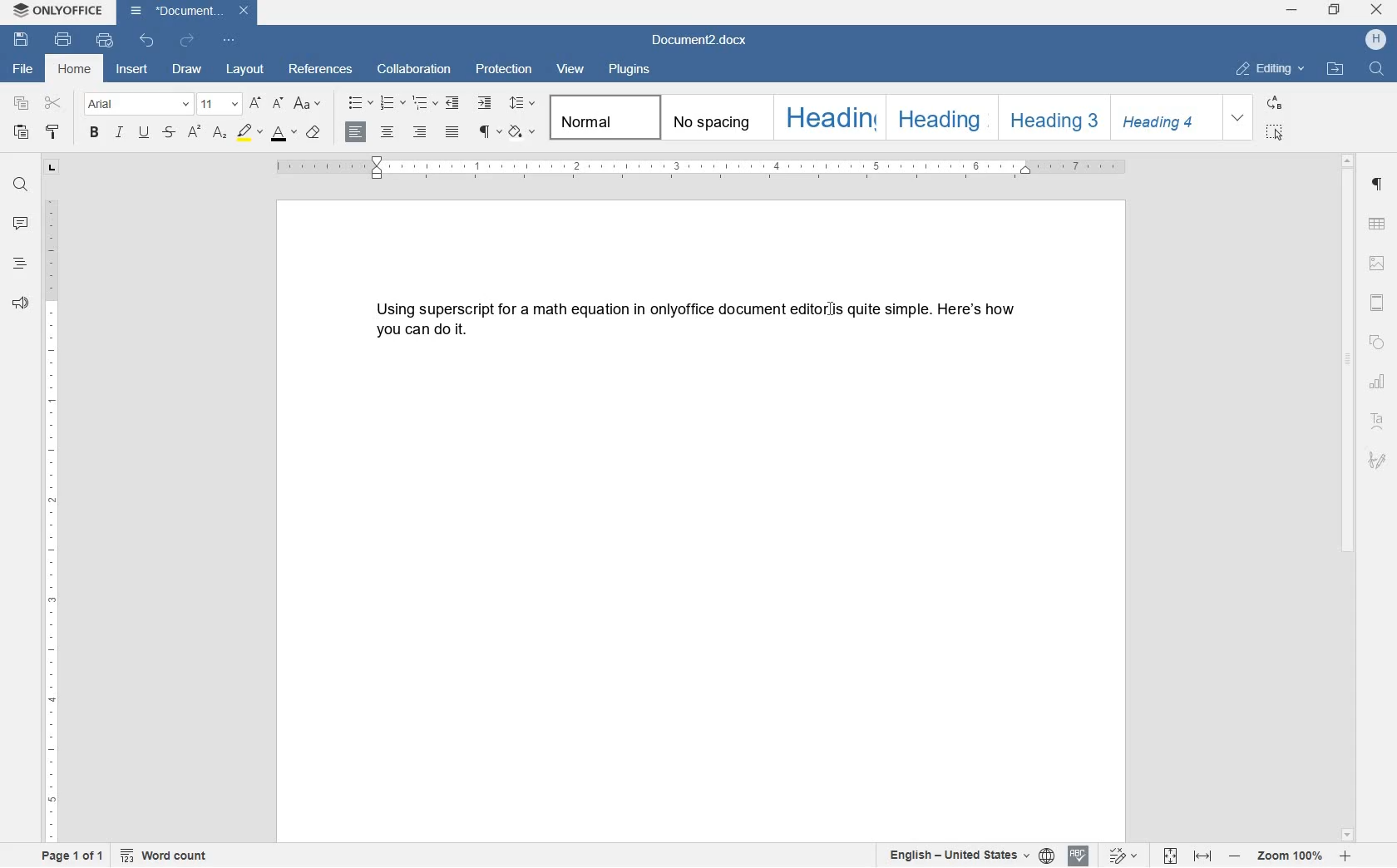  I want to click on superscript, so click(195, 132).